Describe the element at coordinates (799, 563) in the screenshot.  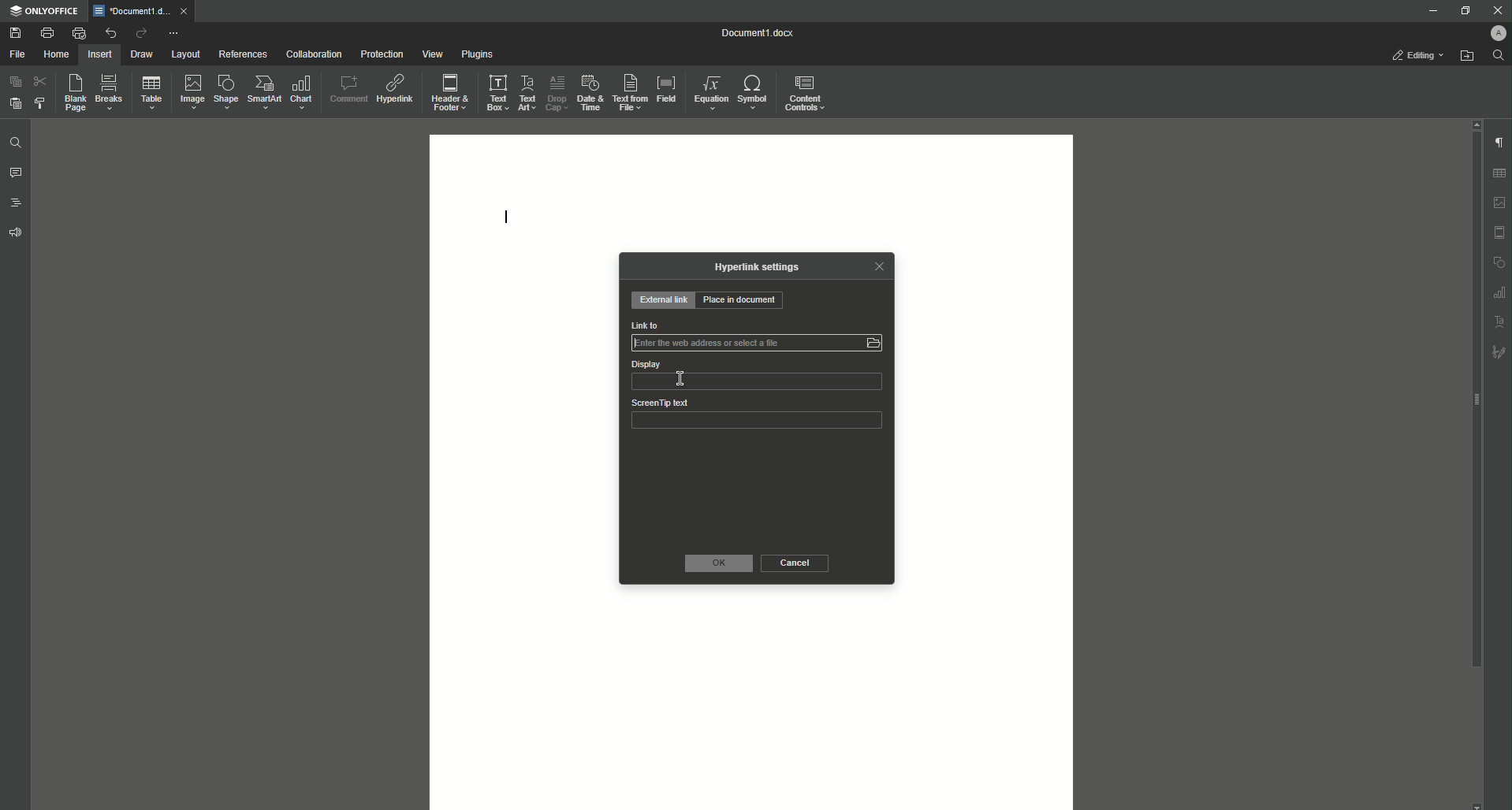
I see `Cancel` at that location.